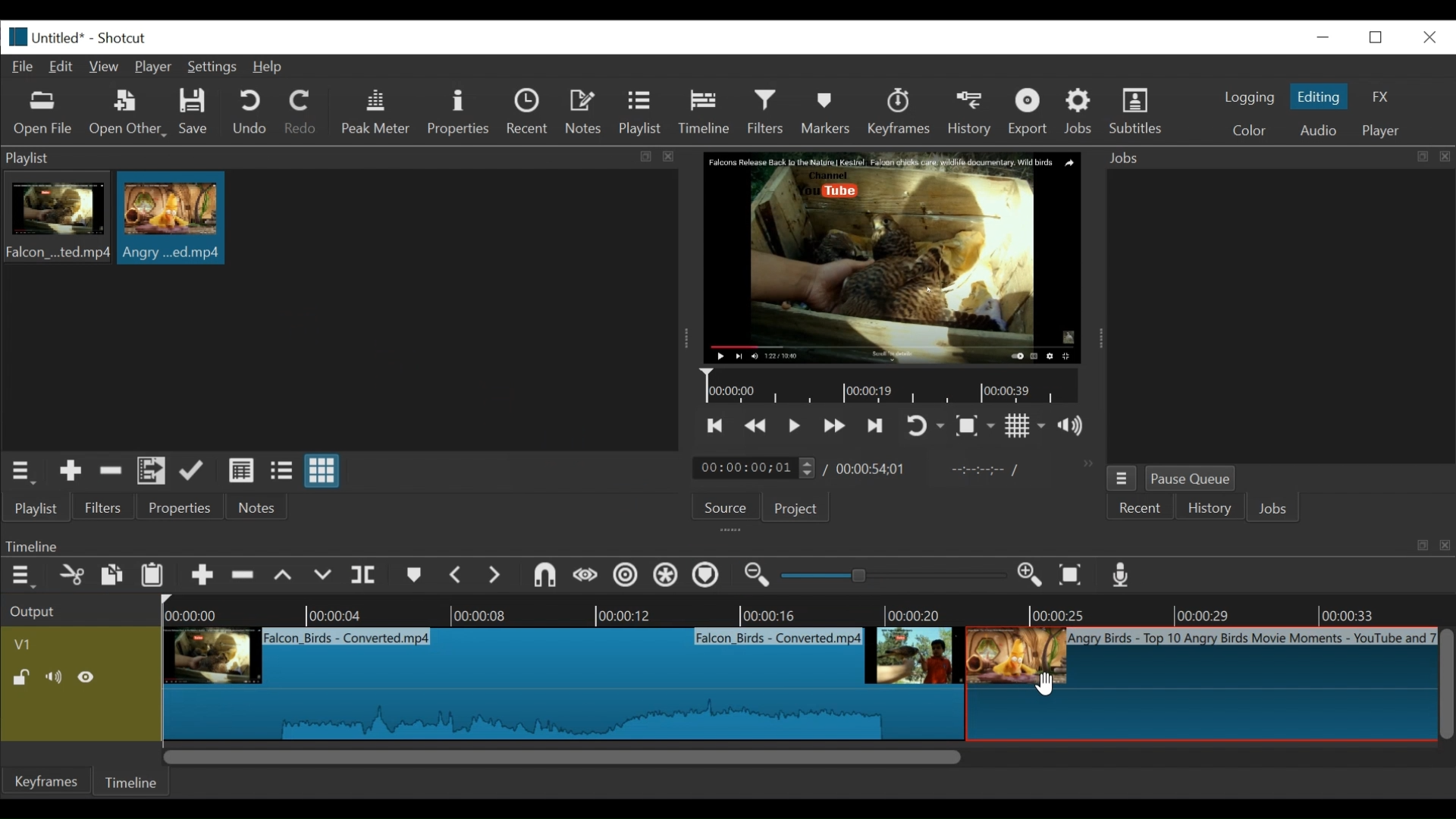  What do you see at coordinates (64, 65) in the screenshot?
I see `Edit` at bounding box center [64, 65].